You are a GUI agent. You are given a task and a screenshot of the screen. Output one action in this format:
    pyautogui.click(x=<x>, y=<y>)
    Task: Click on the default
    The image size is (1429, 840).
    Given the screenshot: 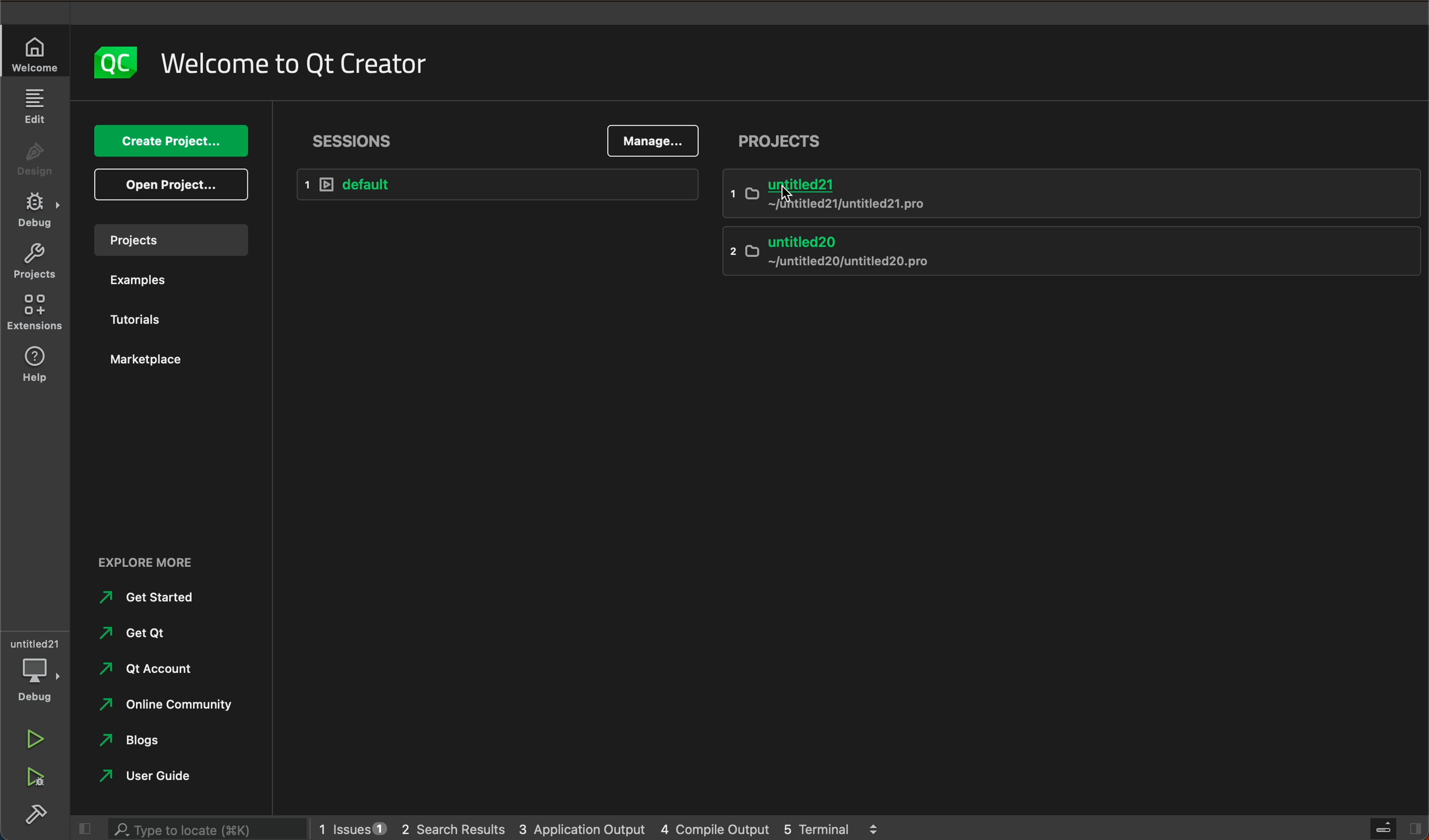 What is the action you would take?
    pyautogui.click(x=501, y=184)
    